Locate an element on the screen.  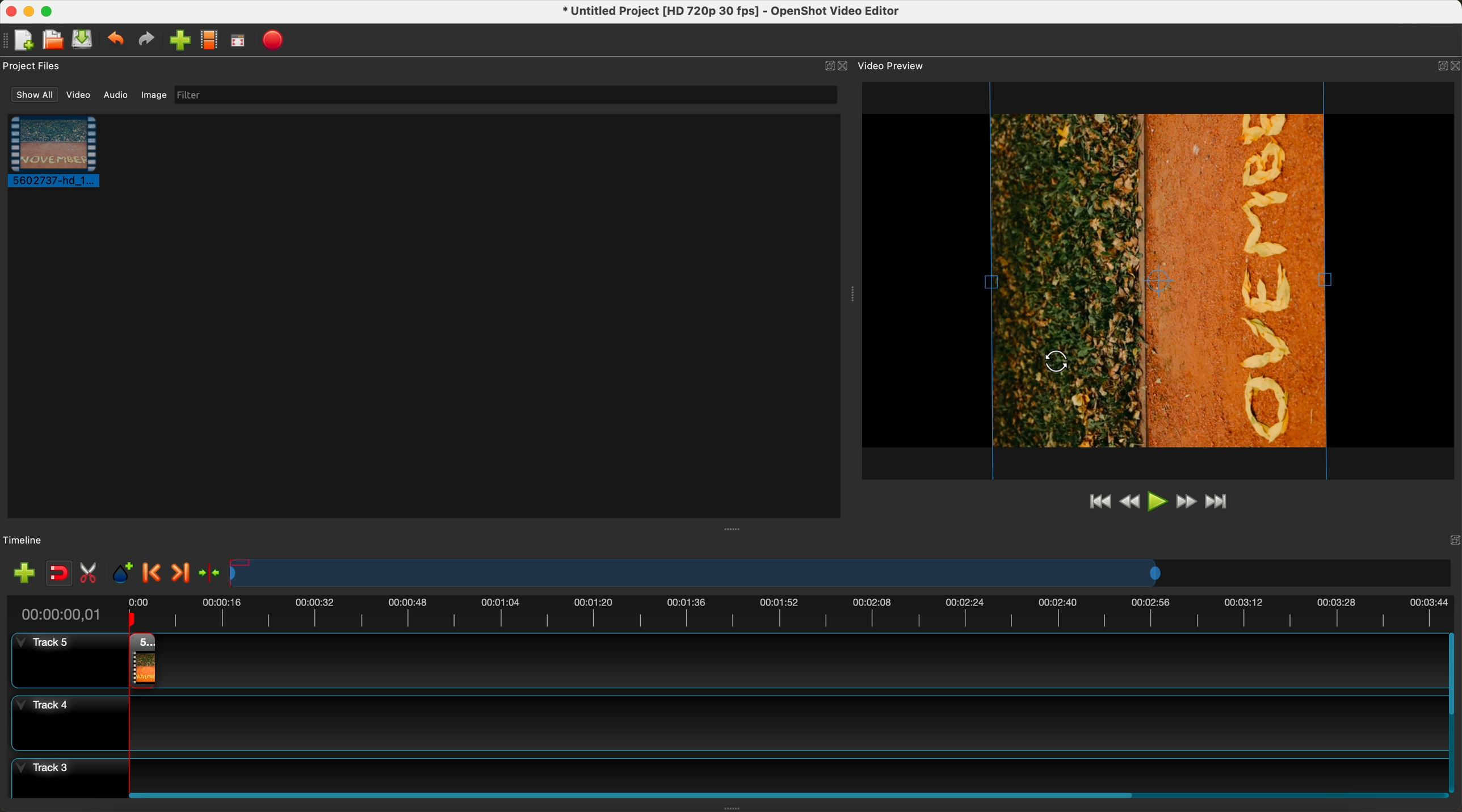
audio is located at coordinates (116, 95).